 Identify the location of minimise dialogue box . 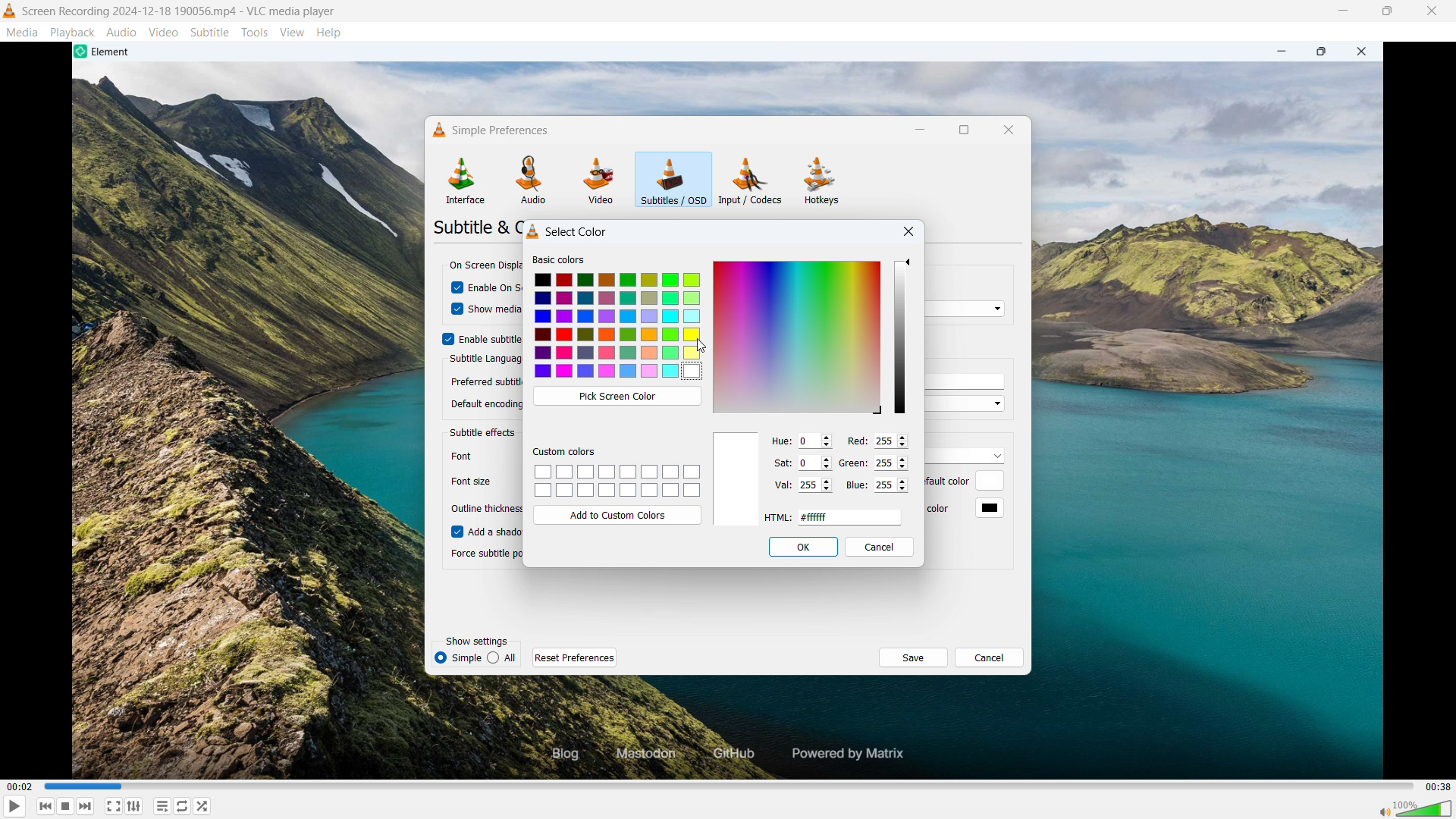
(921, 130).